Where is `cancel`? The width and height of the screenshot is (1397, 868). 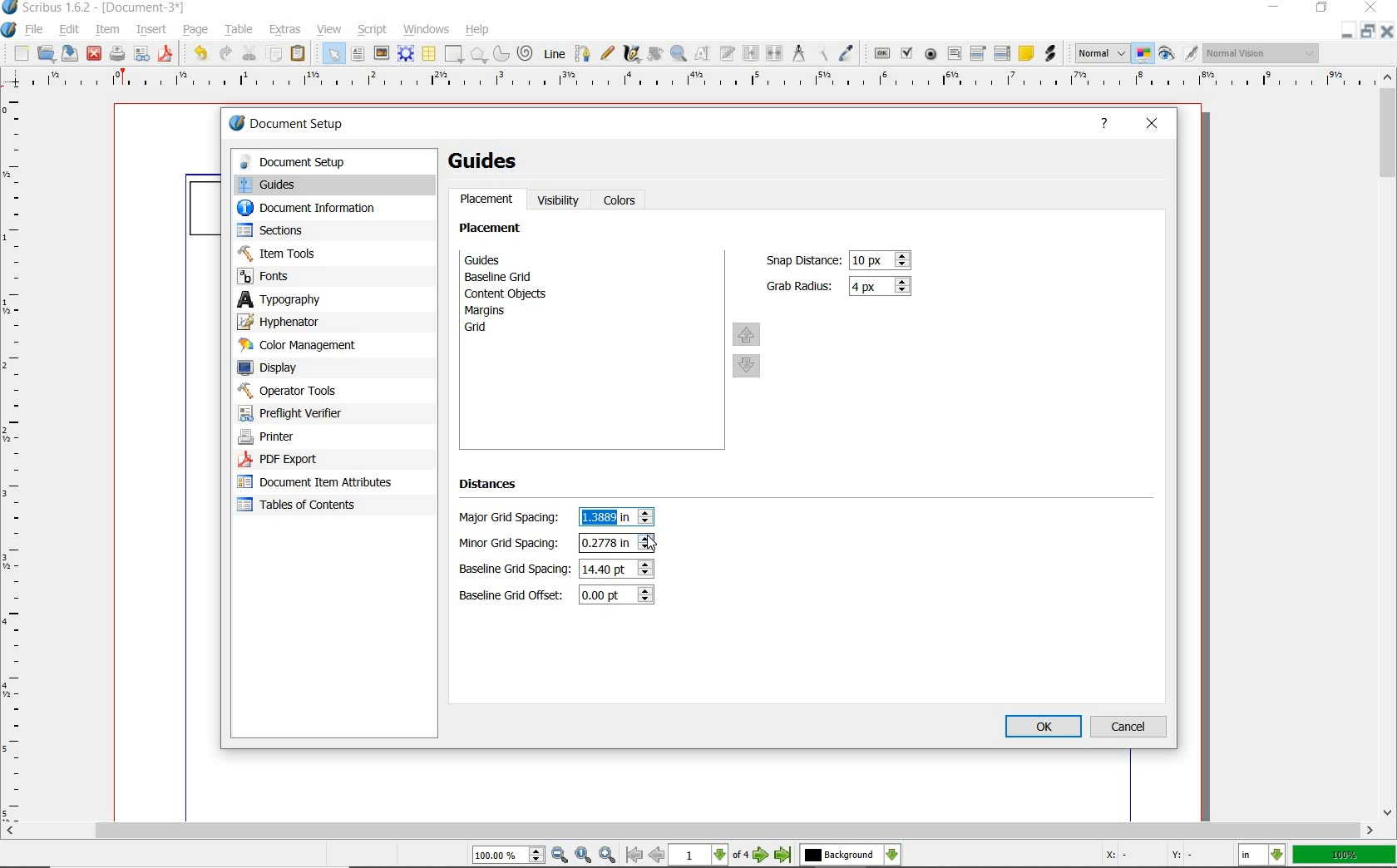
cancel is located at coordinates (1129, 727).